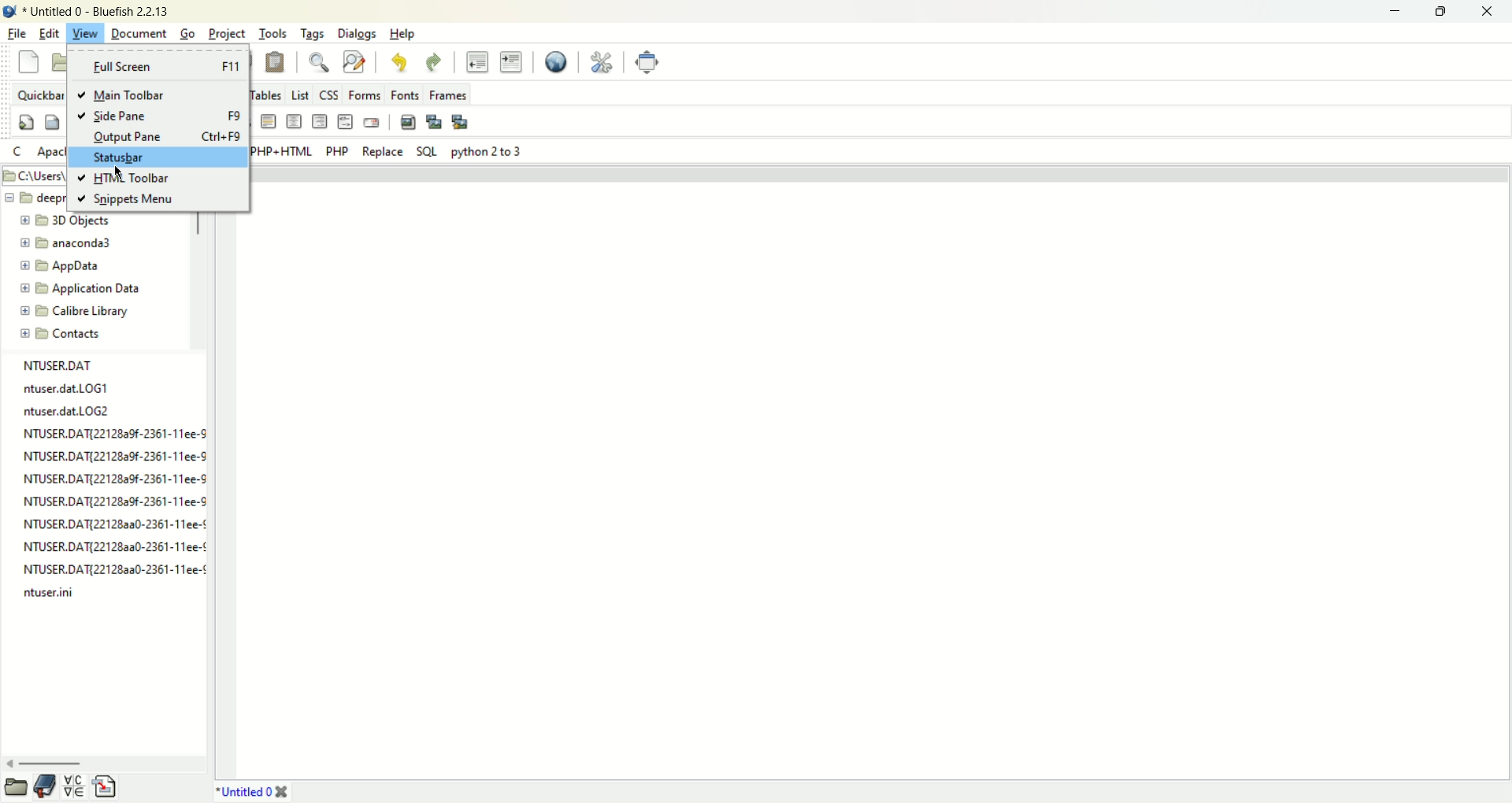  I want to click on minimize, so click(1399, 12).